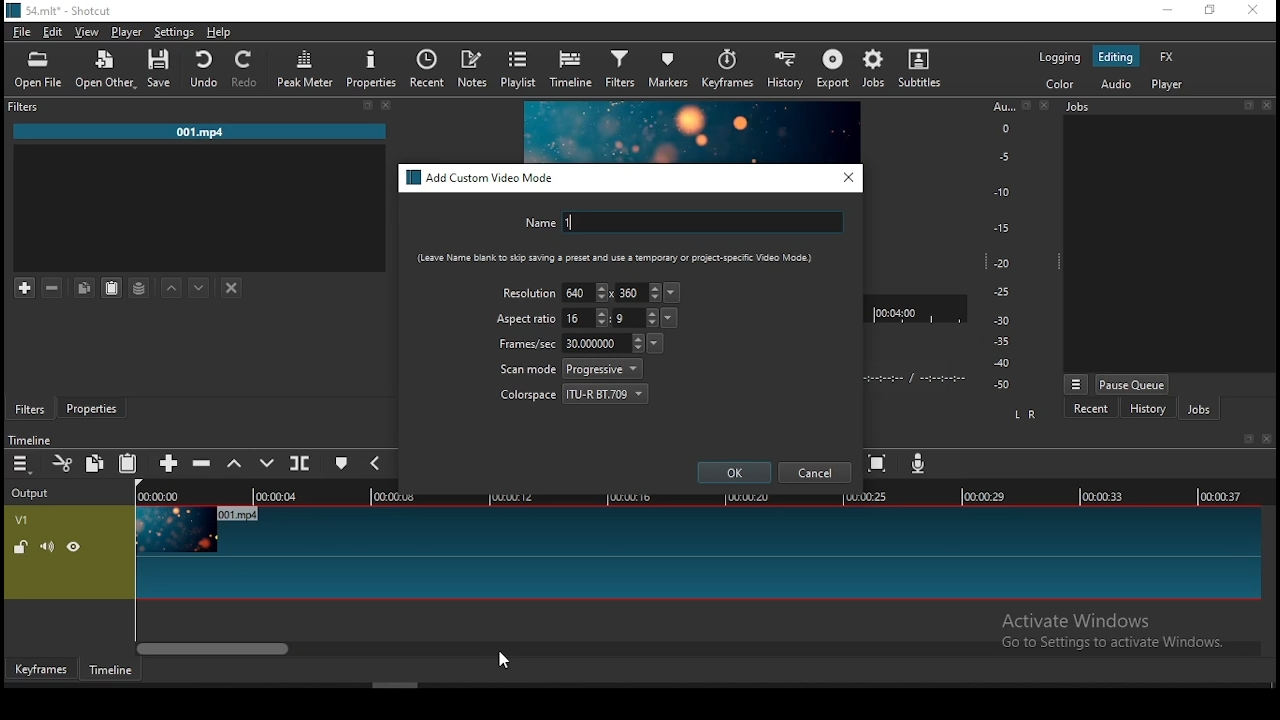  I want to click on history, so click(781, 71).